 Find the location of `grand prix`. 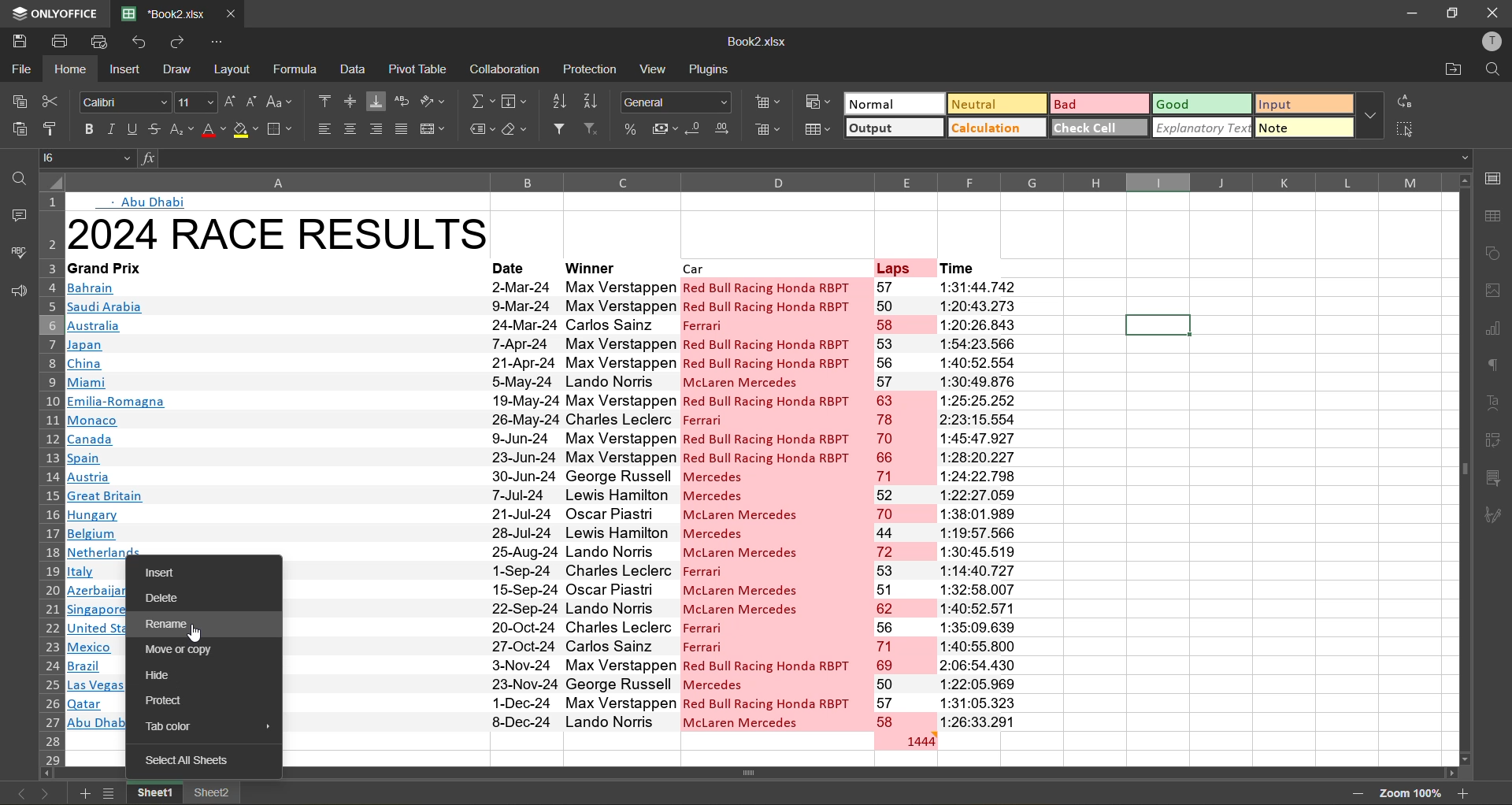

grand prix is located at coordinates (127, 267).